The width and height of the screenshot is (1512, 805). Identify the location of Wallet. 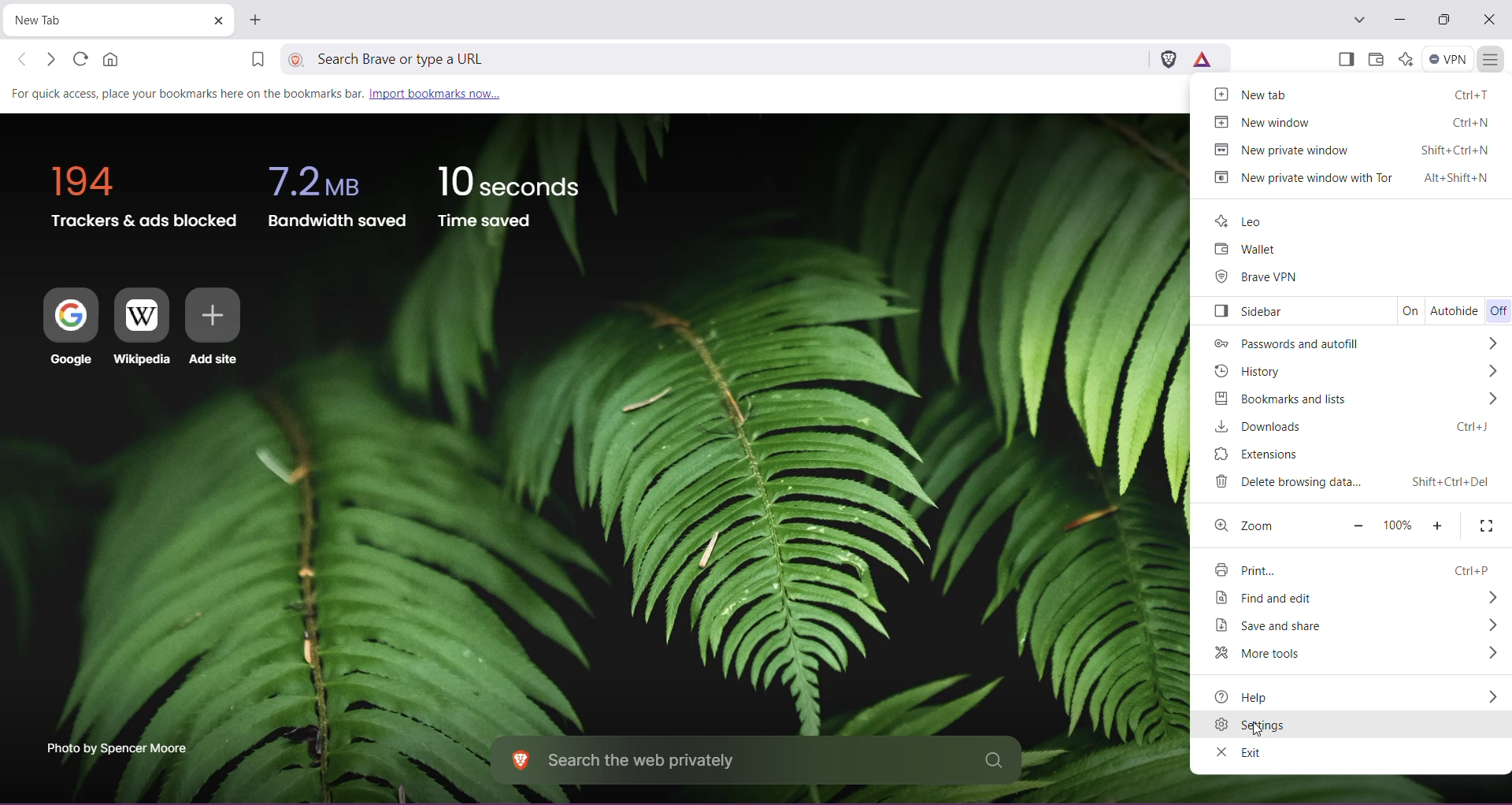
(1243, 250).